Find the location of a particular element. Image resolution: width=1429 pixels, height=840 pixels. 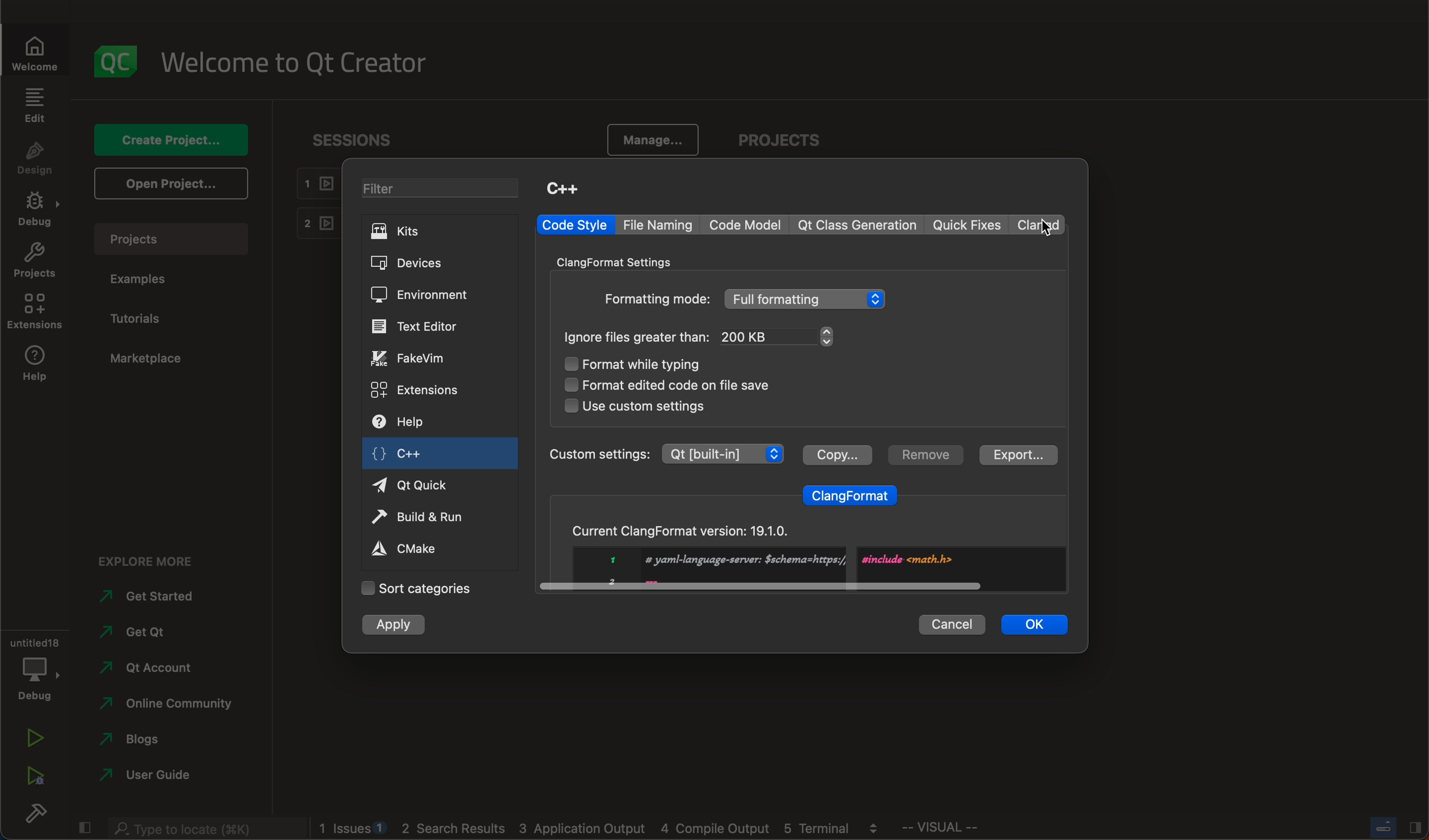

custom settings is located at coordinates (647, 406).